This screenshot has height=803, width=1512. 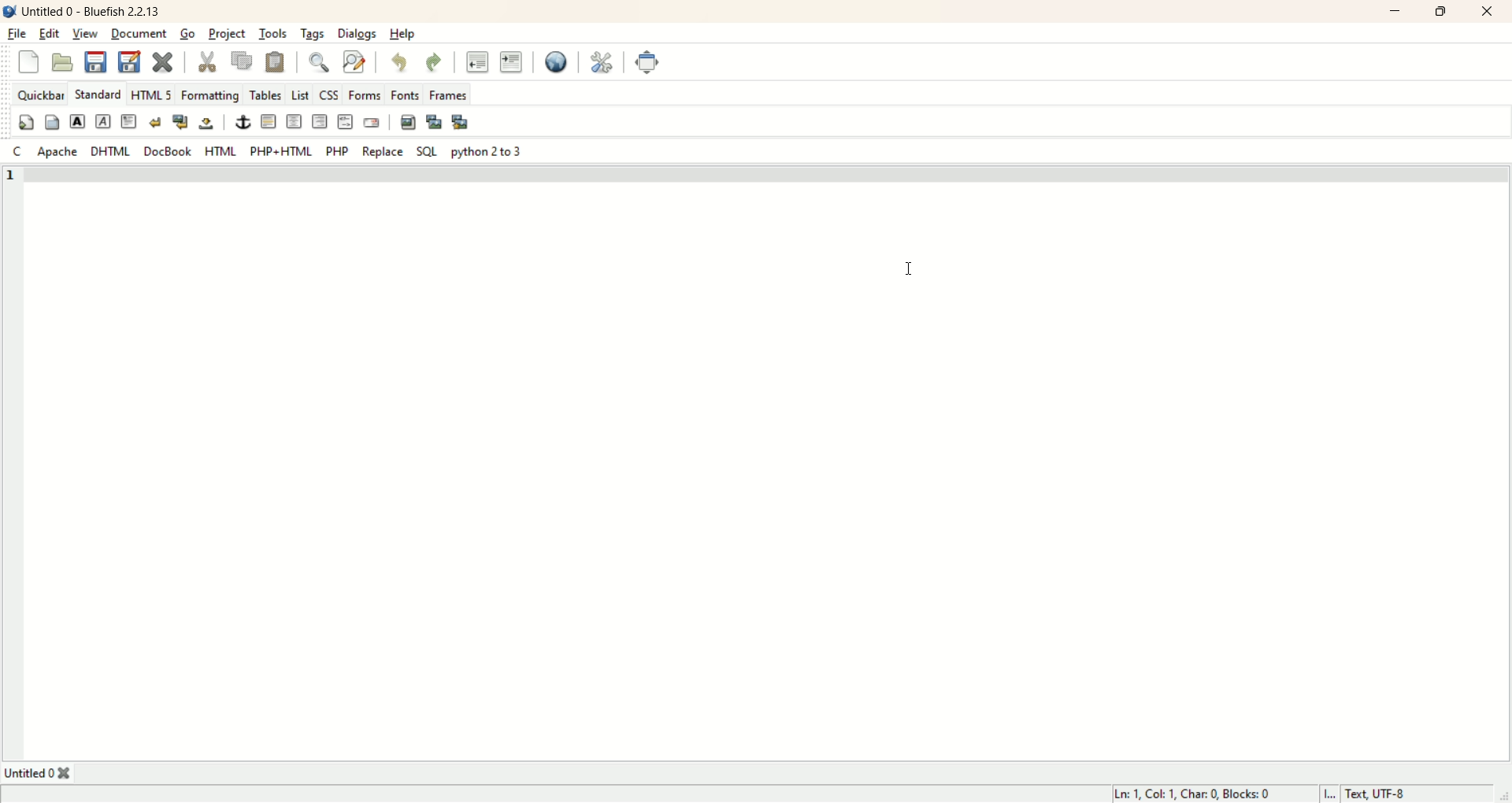 I want to click on replace, so click(x=384, y=153).